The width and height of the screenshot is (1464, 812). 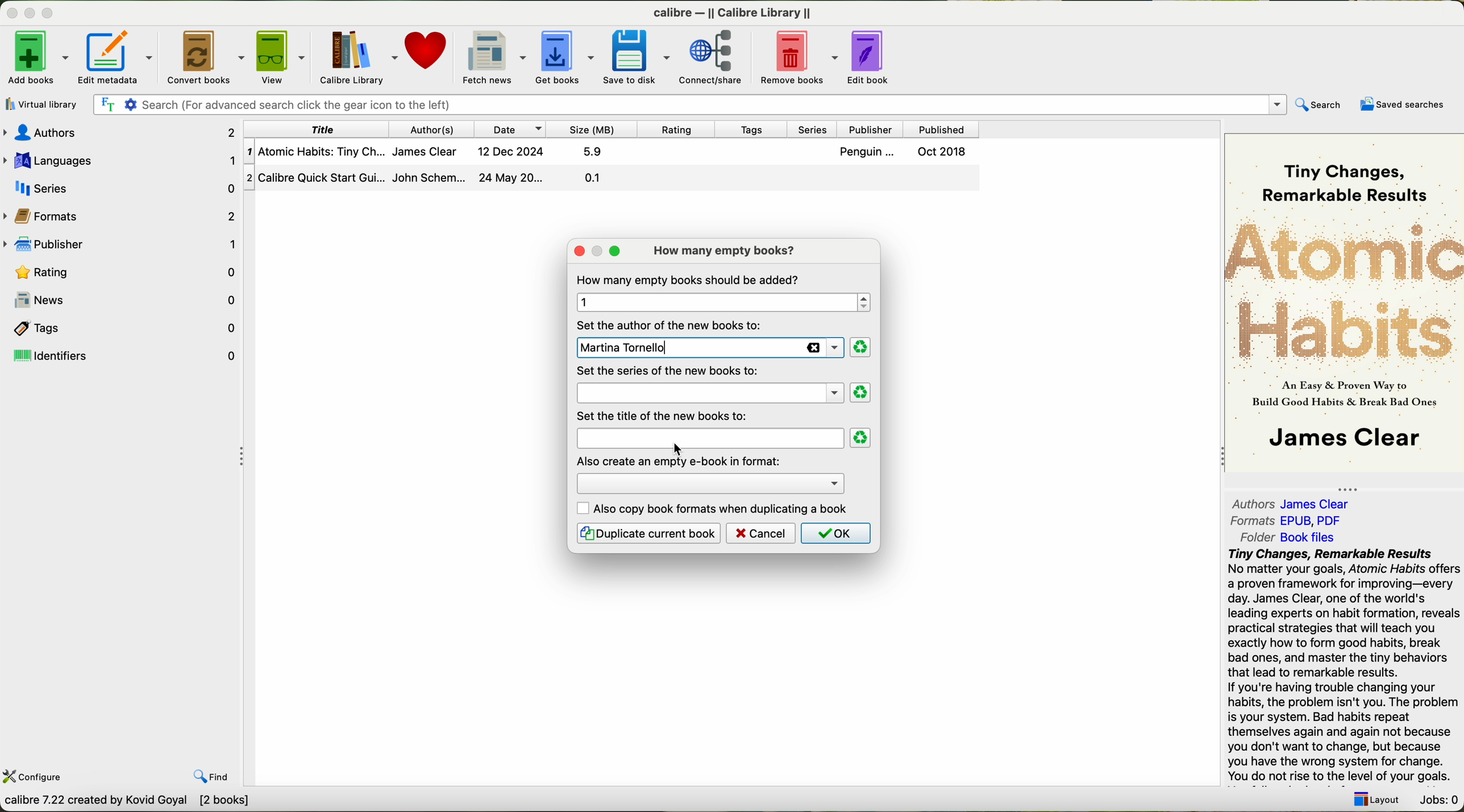 I want to click on 1, so click(x=720, y=302).